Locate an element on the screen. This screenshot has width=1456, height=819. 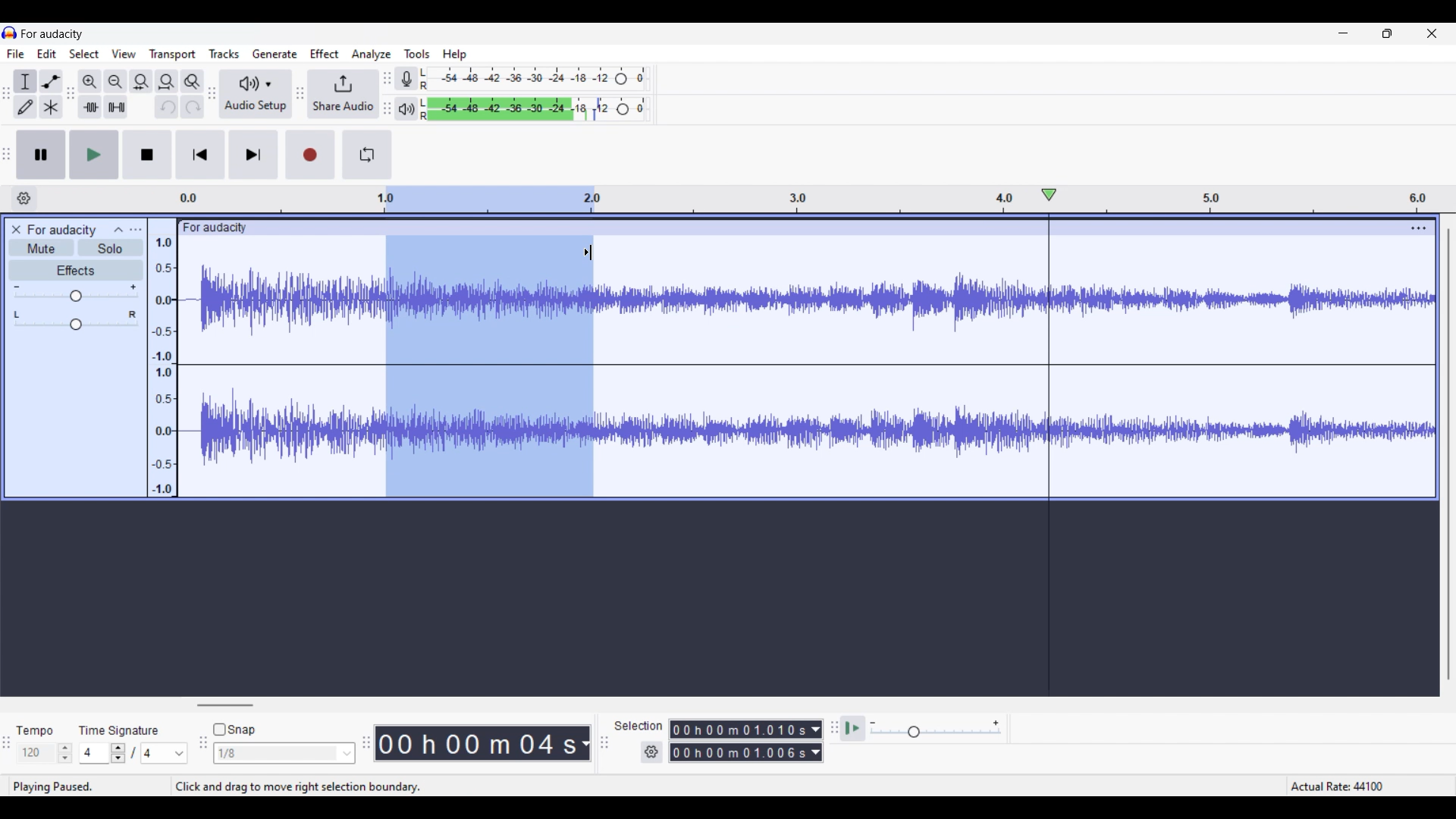
Vertical slide bar is located at coordinates (1448, 453).